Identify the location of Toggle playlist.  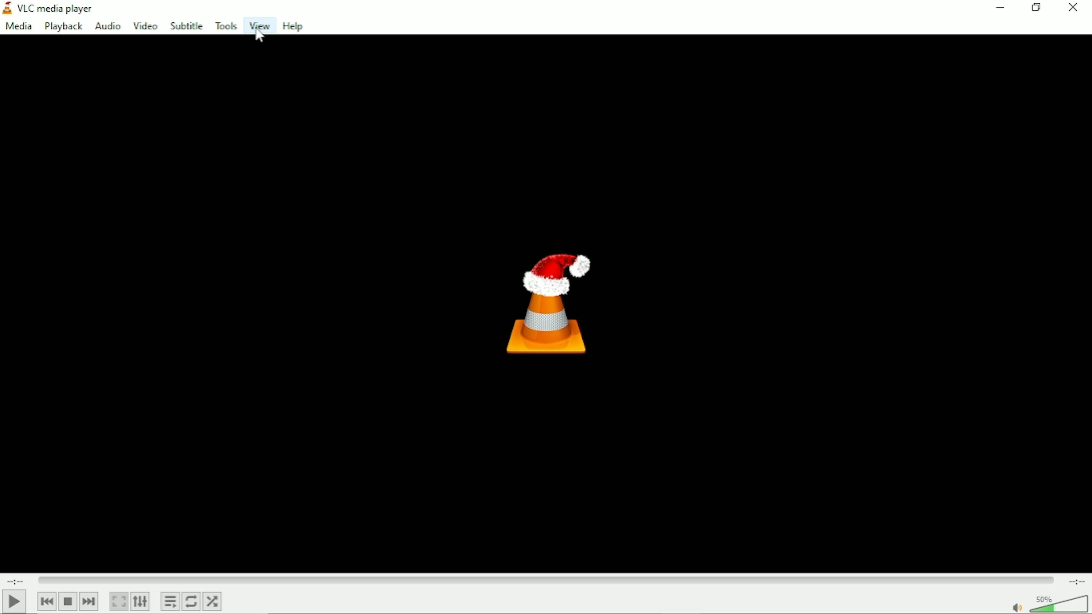
(170, 602).